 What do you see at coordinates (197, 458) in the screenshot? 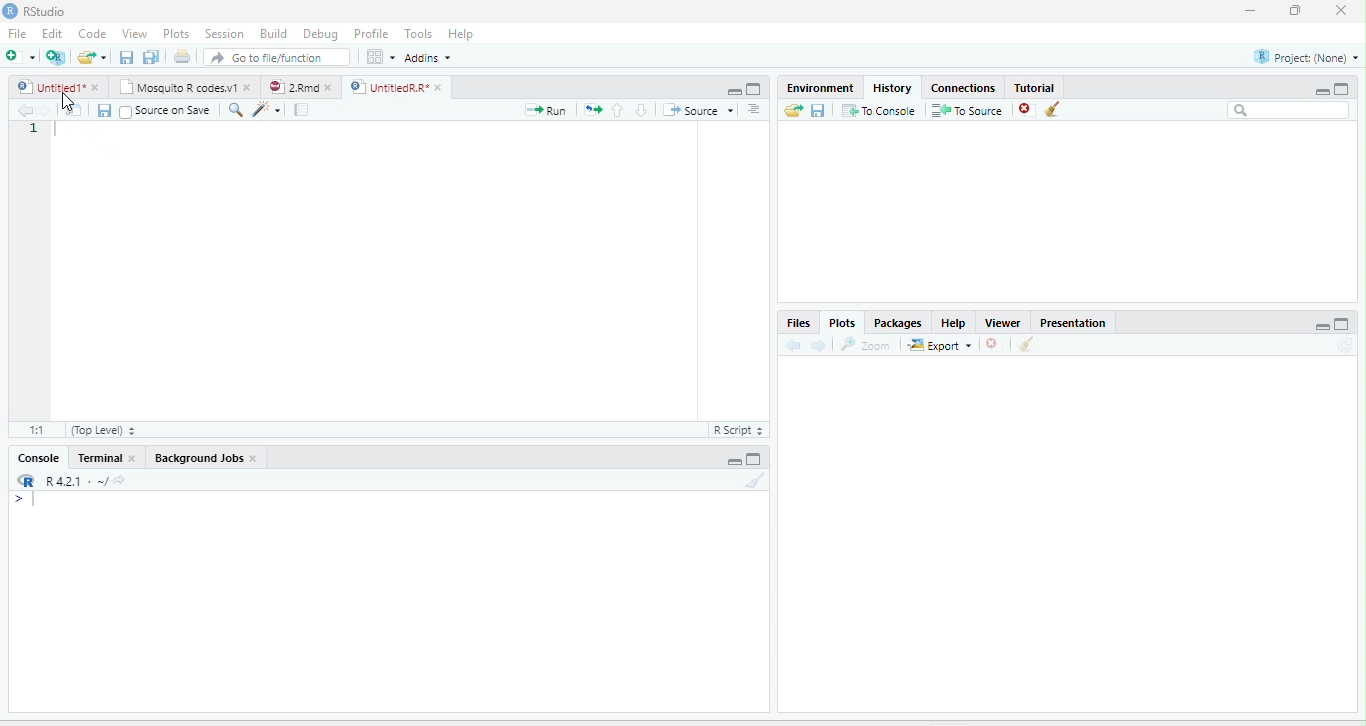
I see `Background Jobs` at bounding box center [197, 458].